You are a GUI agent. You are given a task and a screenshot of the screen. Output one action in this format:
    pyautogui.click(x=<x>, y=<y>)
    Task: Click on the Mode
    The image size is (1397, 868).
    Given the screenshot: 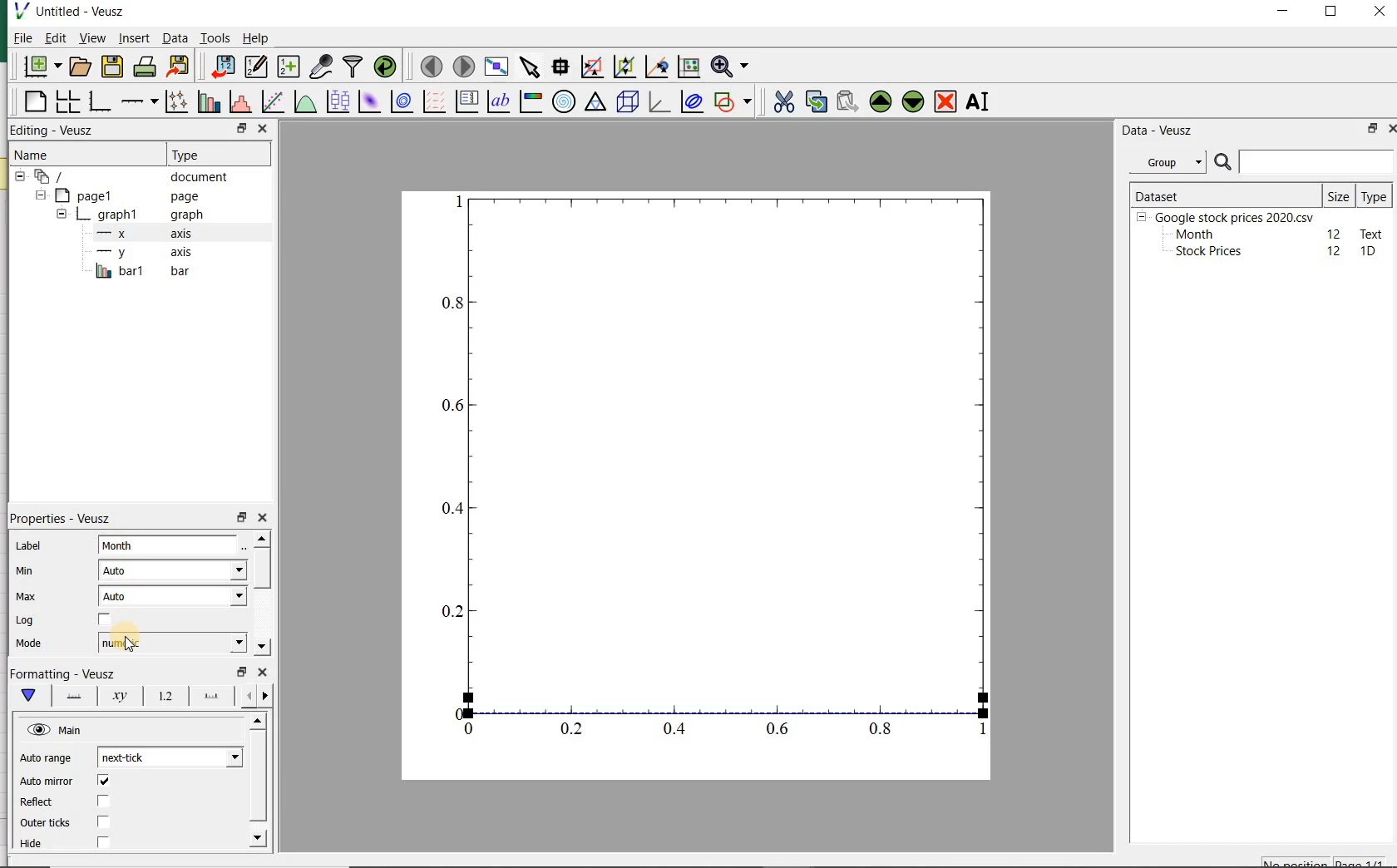 What is the action you would take?
    pyautogui.click(x=26, y=644)
    